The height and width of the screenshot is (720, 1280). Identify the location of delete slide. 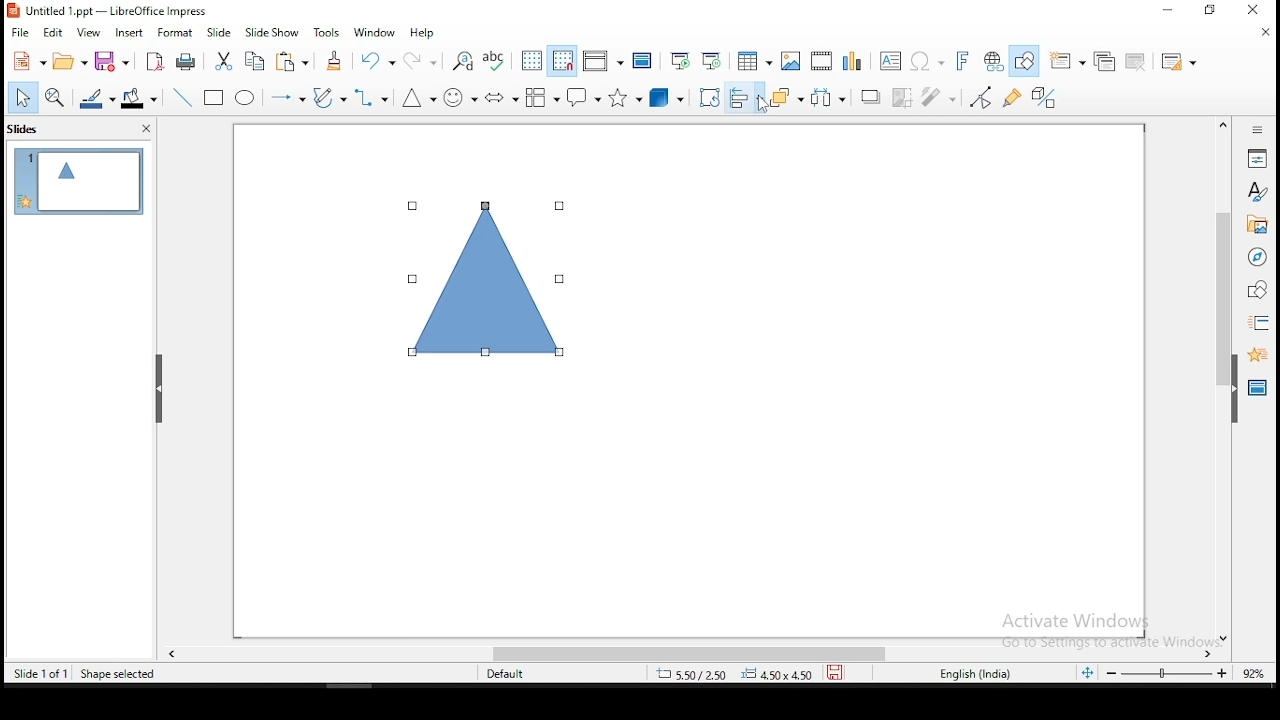
(1135, 60).